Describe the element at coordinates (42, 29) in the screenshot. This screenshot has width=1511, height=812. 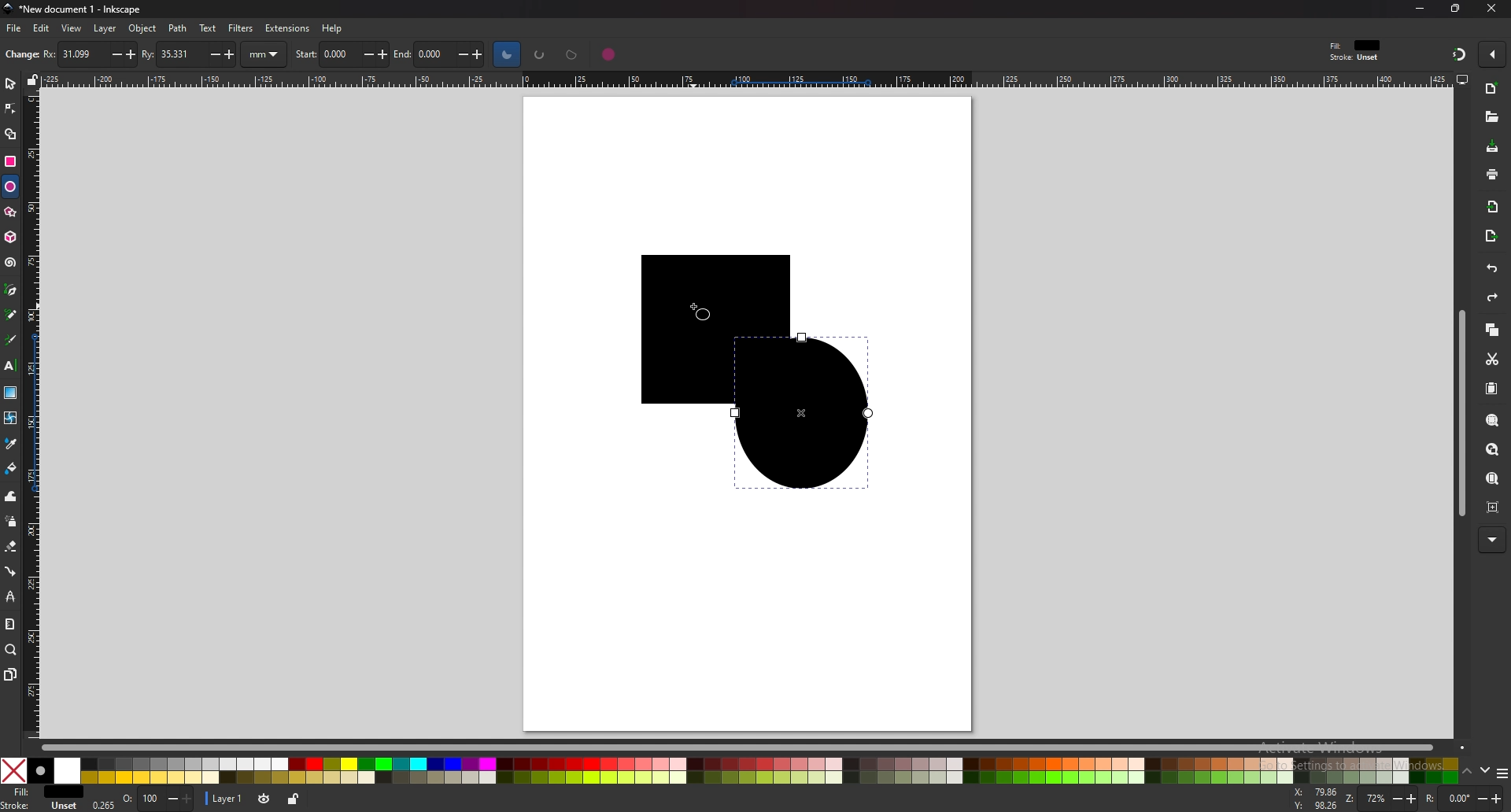
I see `edit` at that location.